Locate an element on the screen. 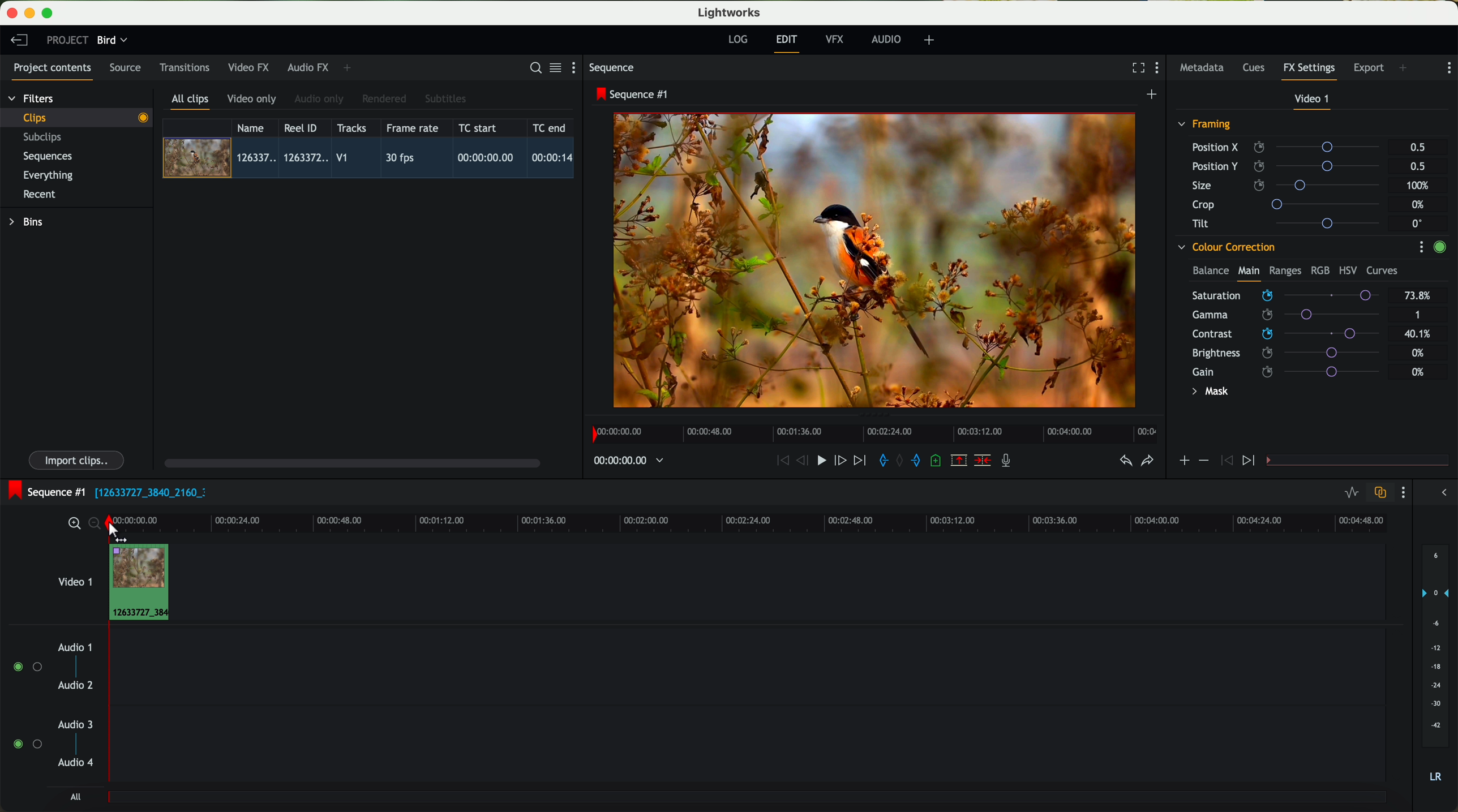 This screenshot has width=1458, height=812. Lightworks is located at coordinates (730, 12).